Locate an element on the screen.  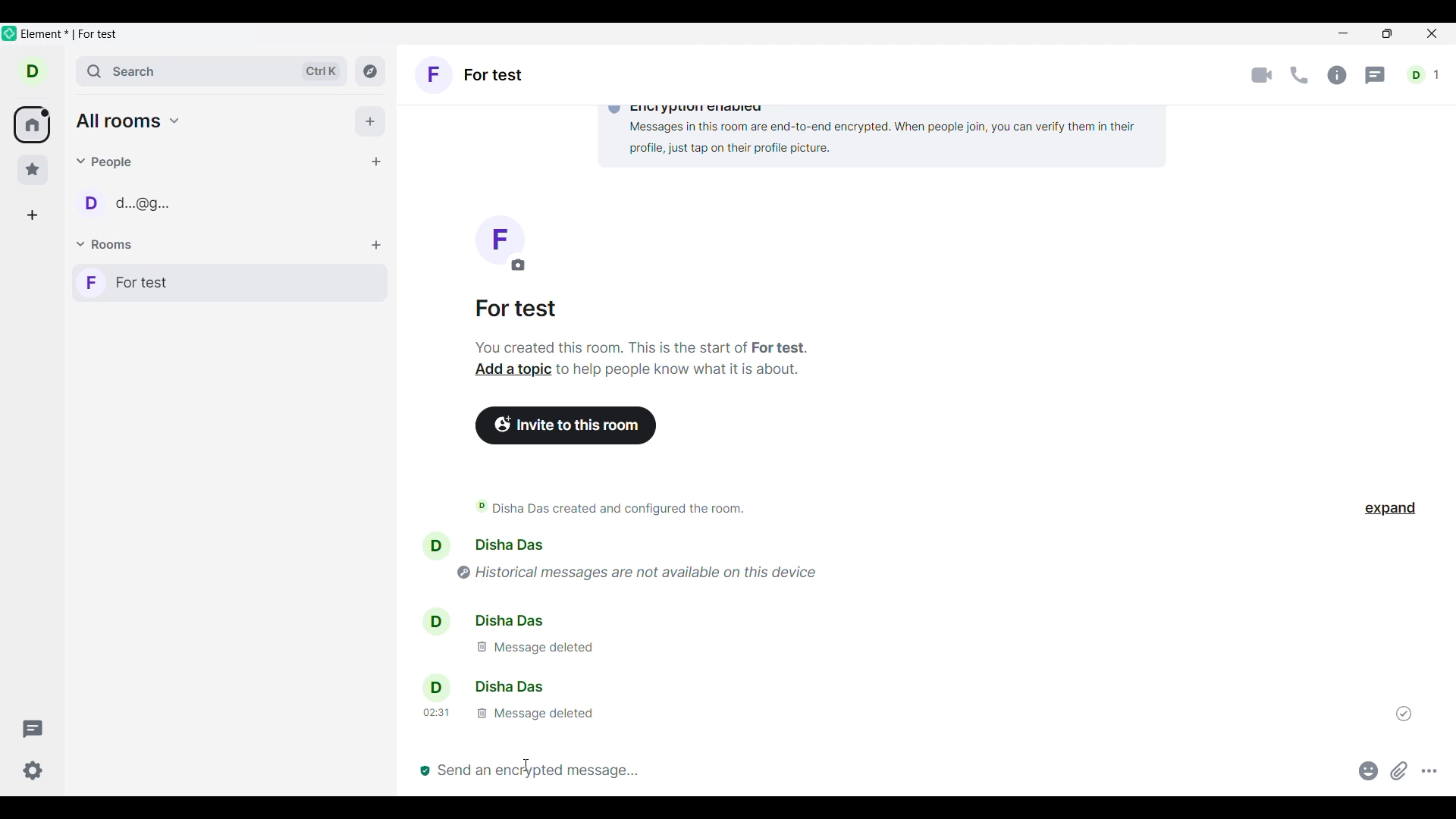
F Fortest is located at coordinates (477, 77).